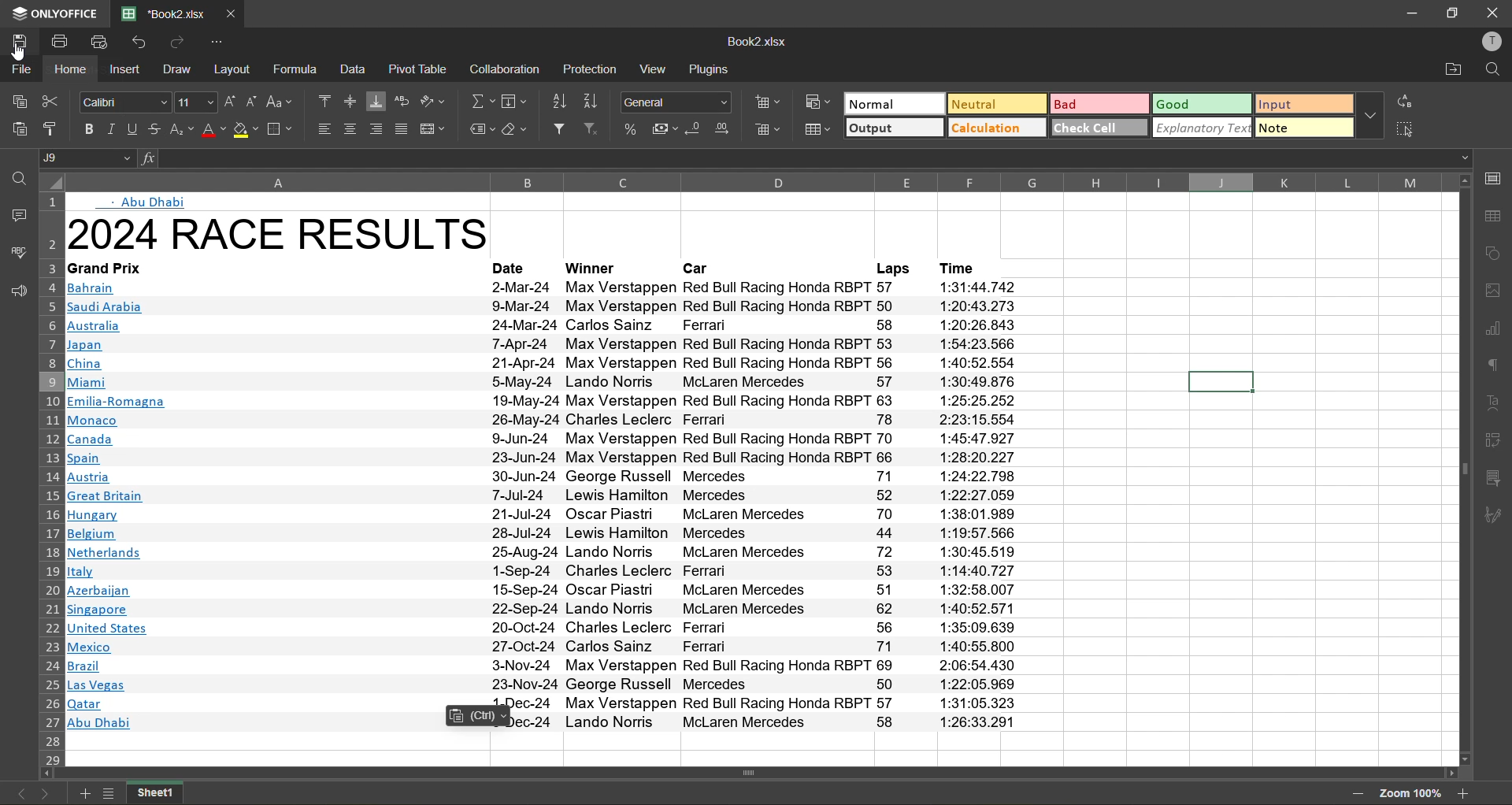 Image resolution: width=1512 pixels, height=805 pixels. What do you see at coordinates (140, 41) in the screenshot?
I see `undo` at bounding box center [140, 41].